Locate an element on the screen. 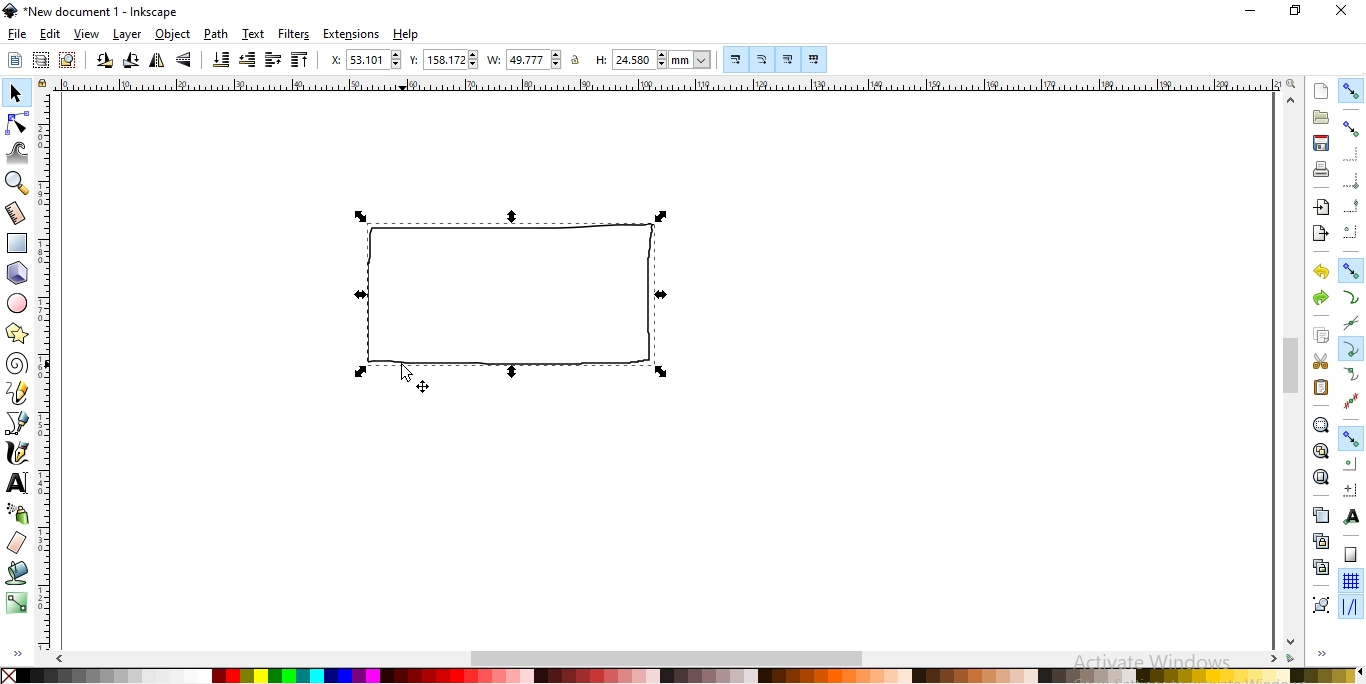  spray objects by sculpting or painting is located at coordinates (17, 513).